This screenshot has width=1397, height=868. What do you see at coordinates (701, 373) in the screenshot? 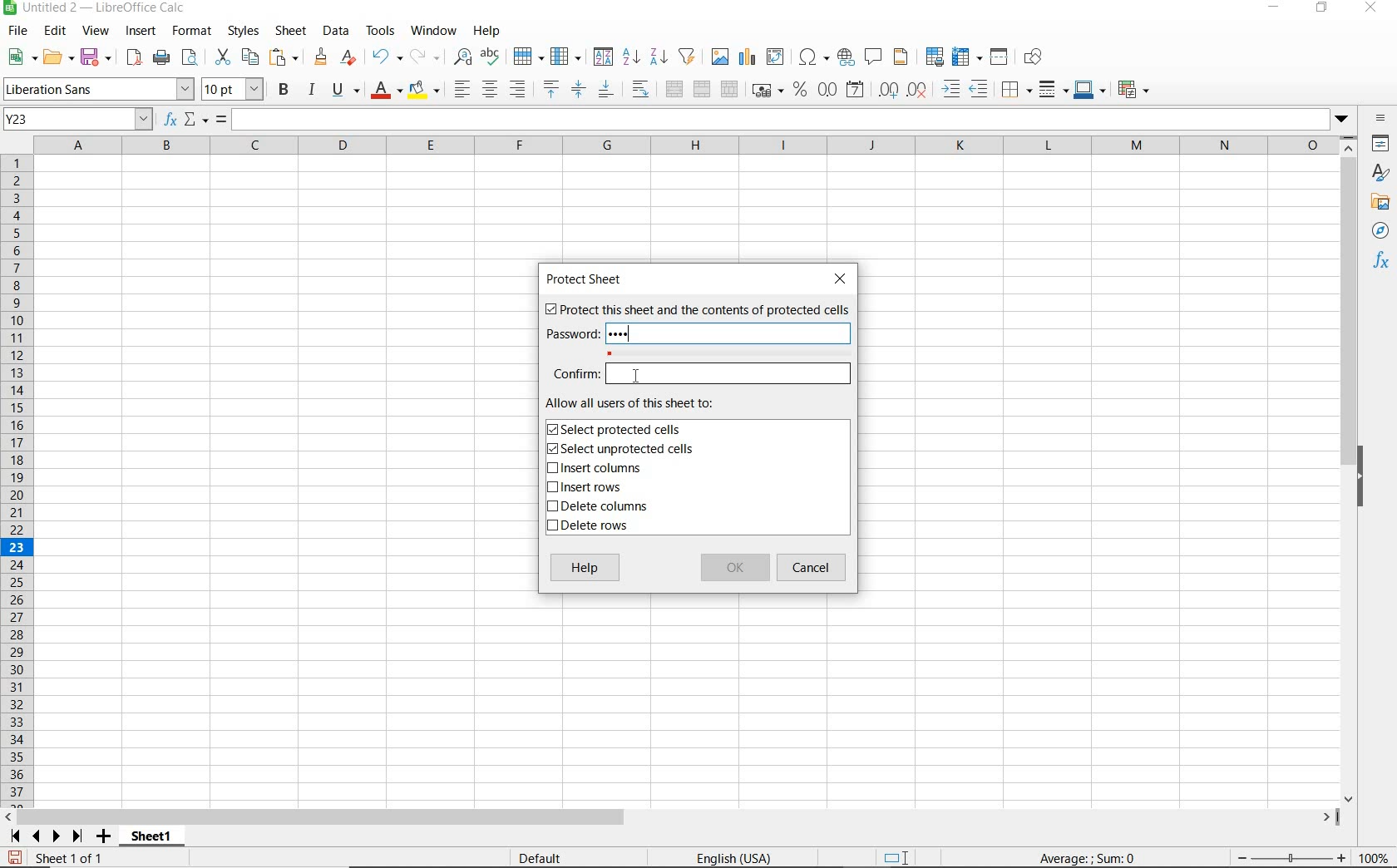
I see `CONFIRM` at bounding box center [701, 373].